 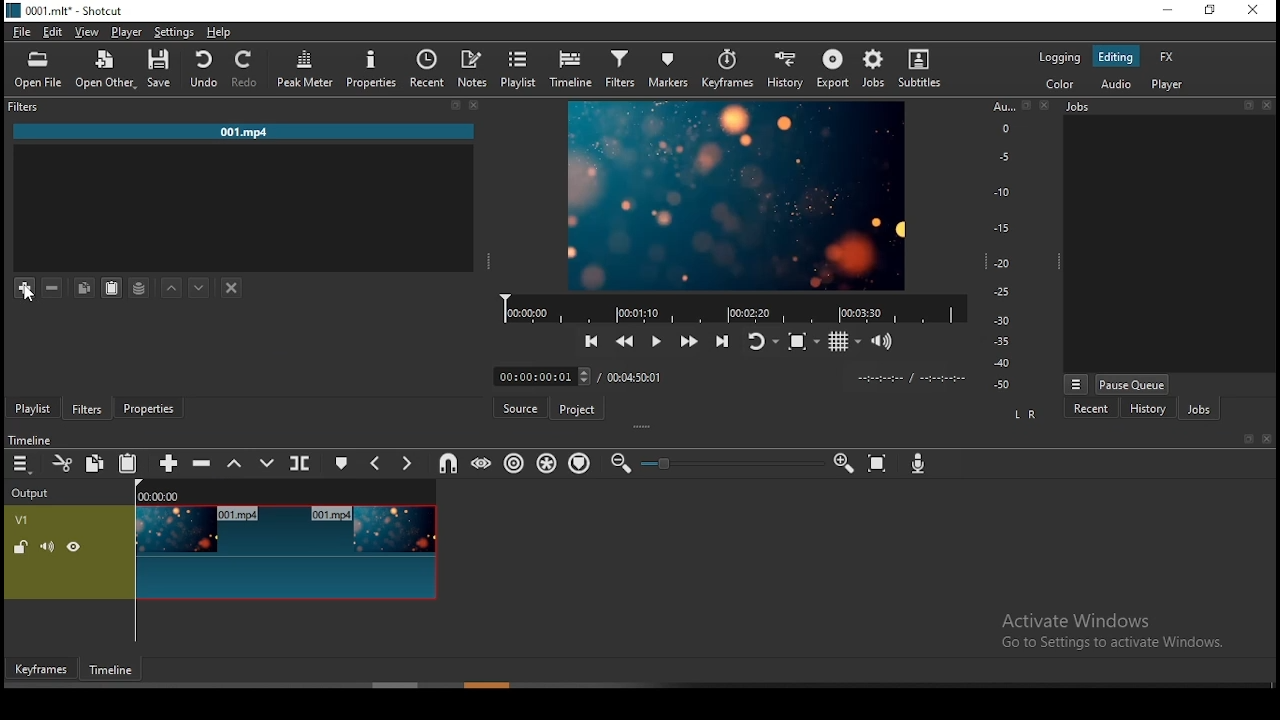 What do you see at coordinates (578, 464) in the screenshot?
I see `ripple markers` at bounding box center [578, 464].